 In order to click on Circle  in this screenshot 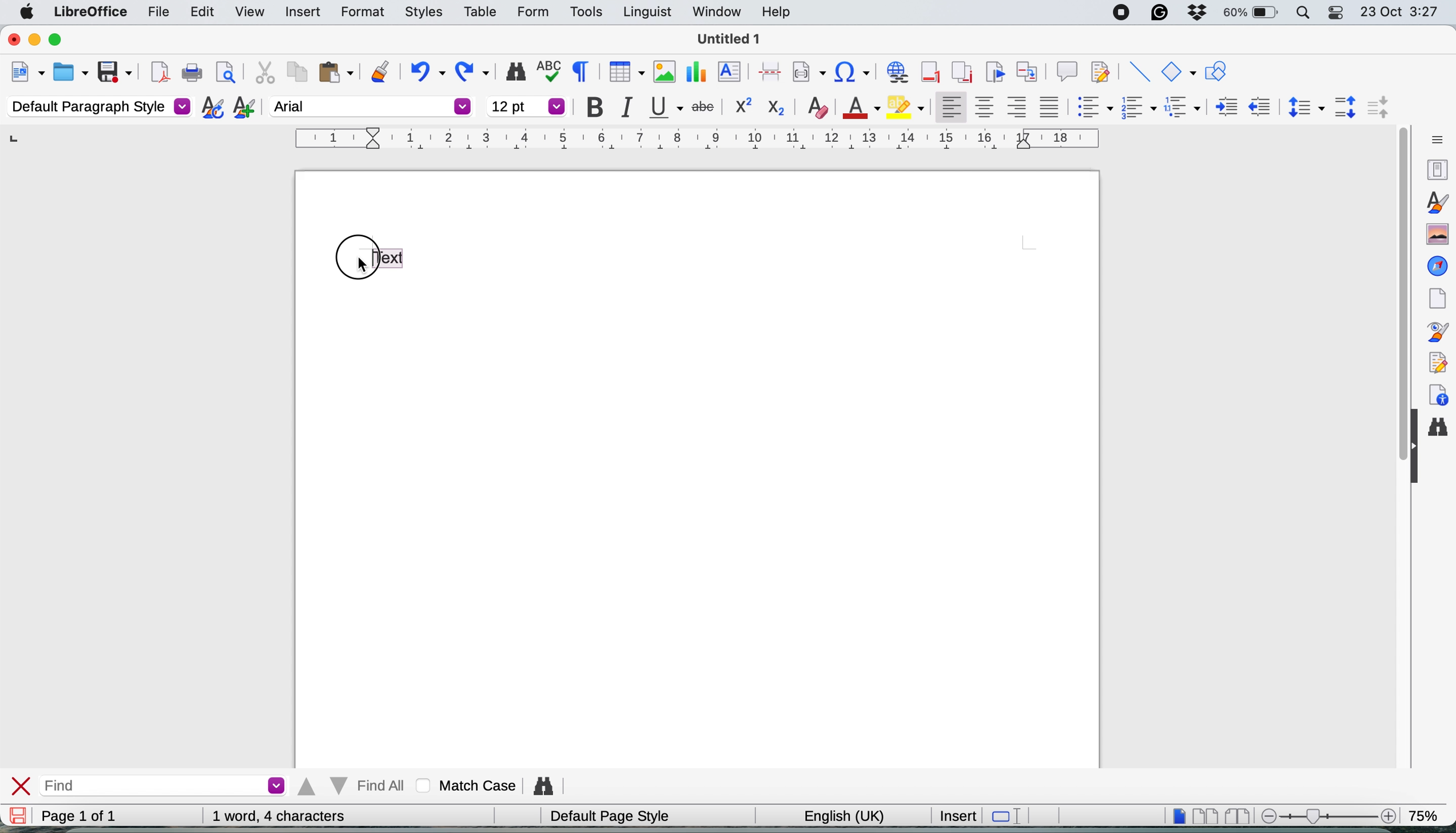, I will do `click(353, 259)`.